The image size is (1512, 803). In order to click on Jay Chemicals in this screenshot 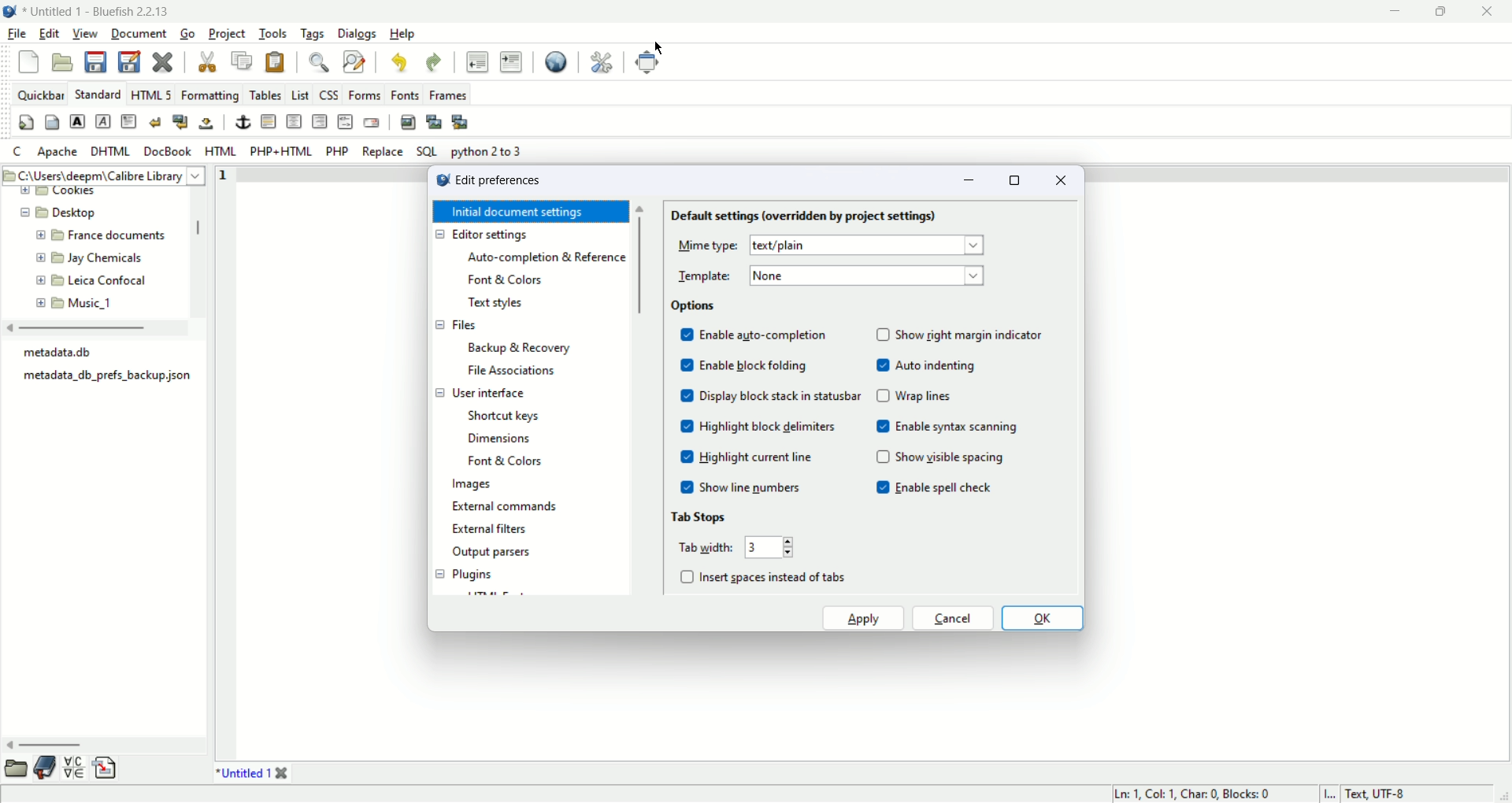, I will do `click(109, 261)`.